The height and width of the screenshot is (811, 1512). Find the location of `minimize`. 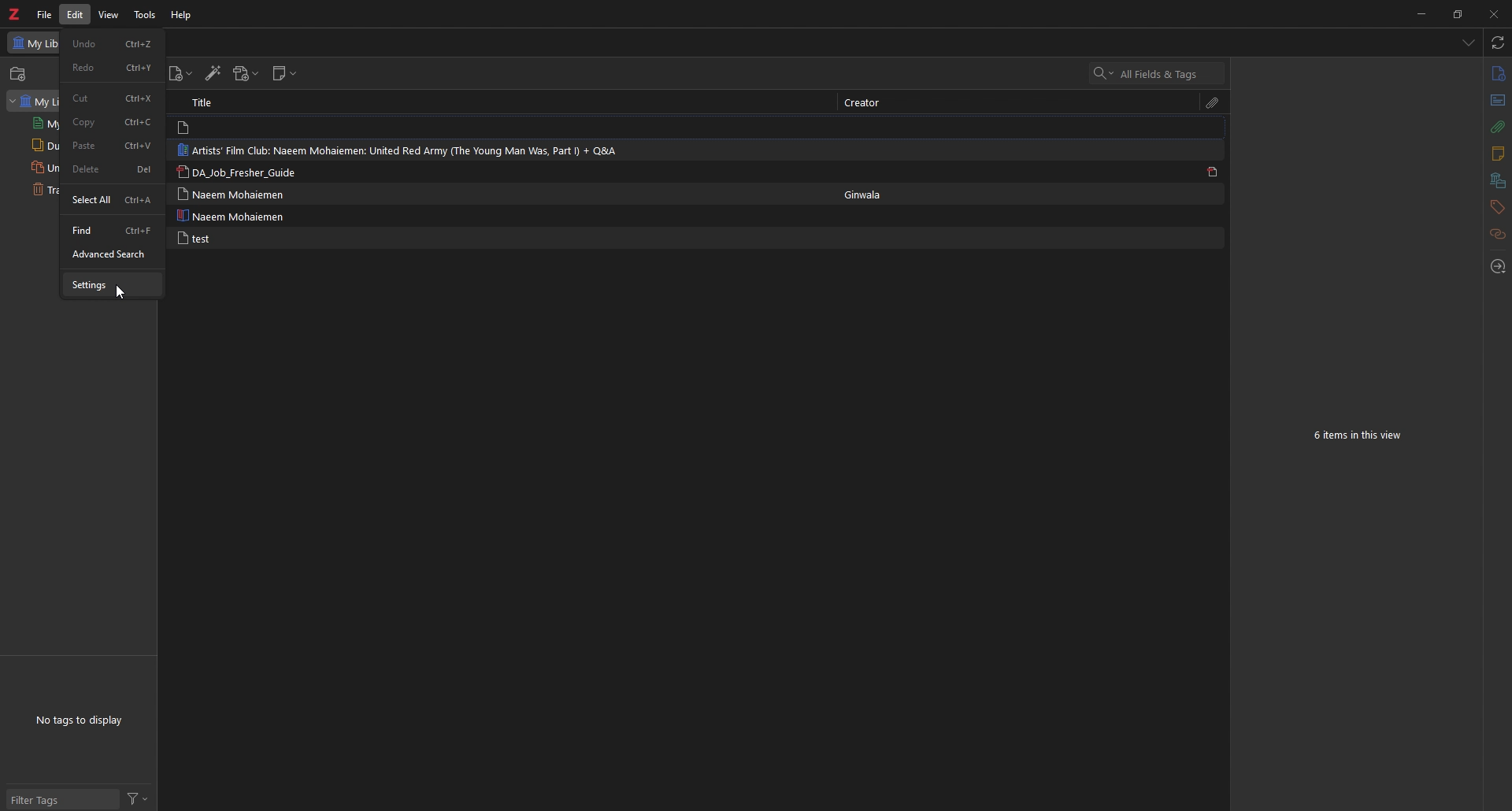

minimize is located at coordinates (1420, 13).